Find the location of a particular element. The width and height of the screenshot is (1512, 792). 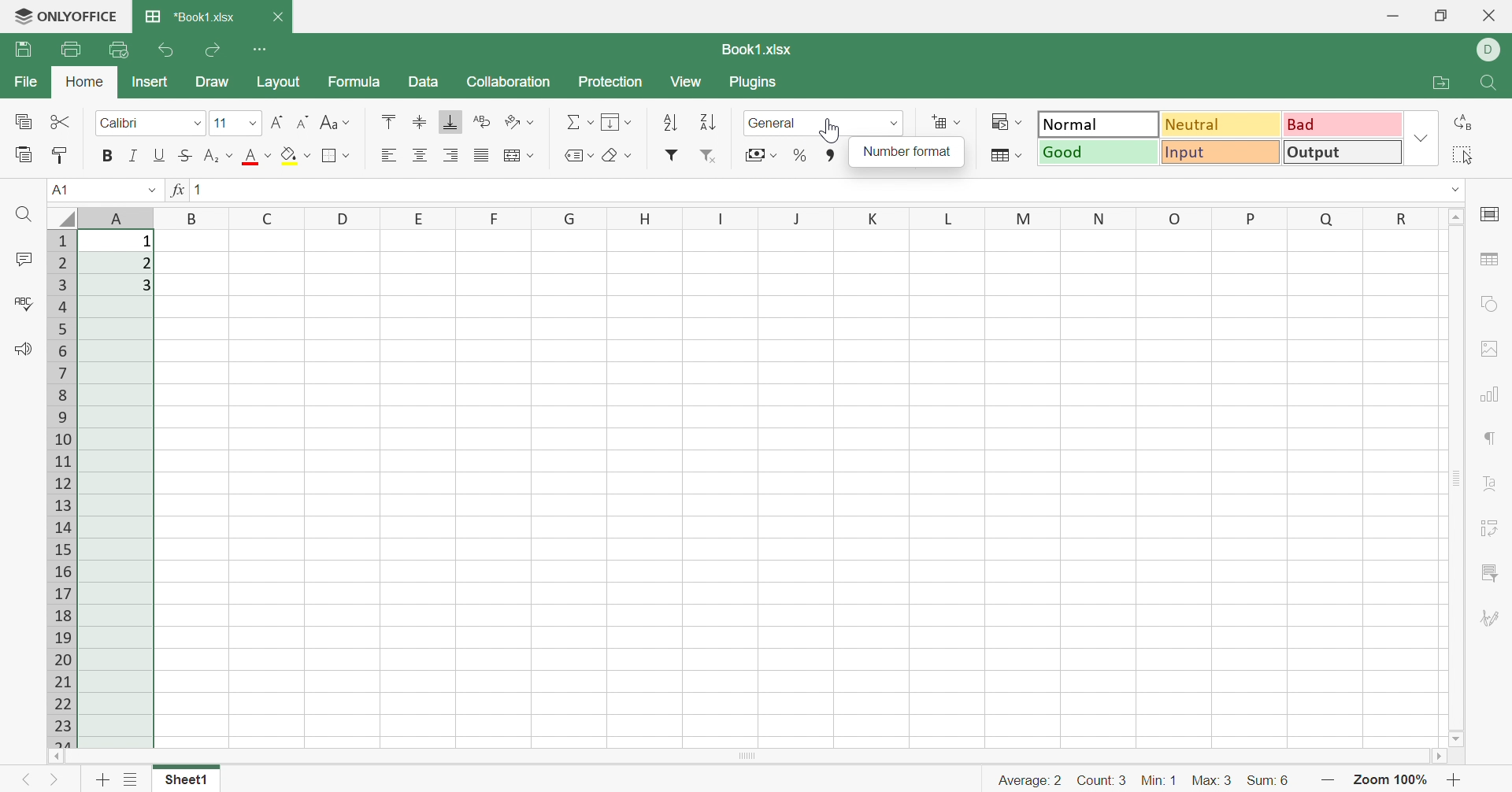

Scroll bar is located at coordinates (1458, 477).